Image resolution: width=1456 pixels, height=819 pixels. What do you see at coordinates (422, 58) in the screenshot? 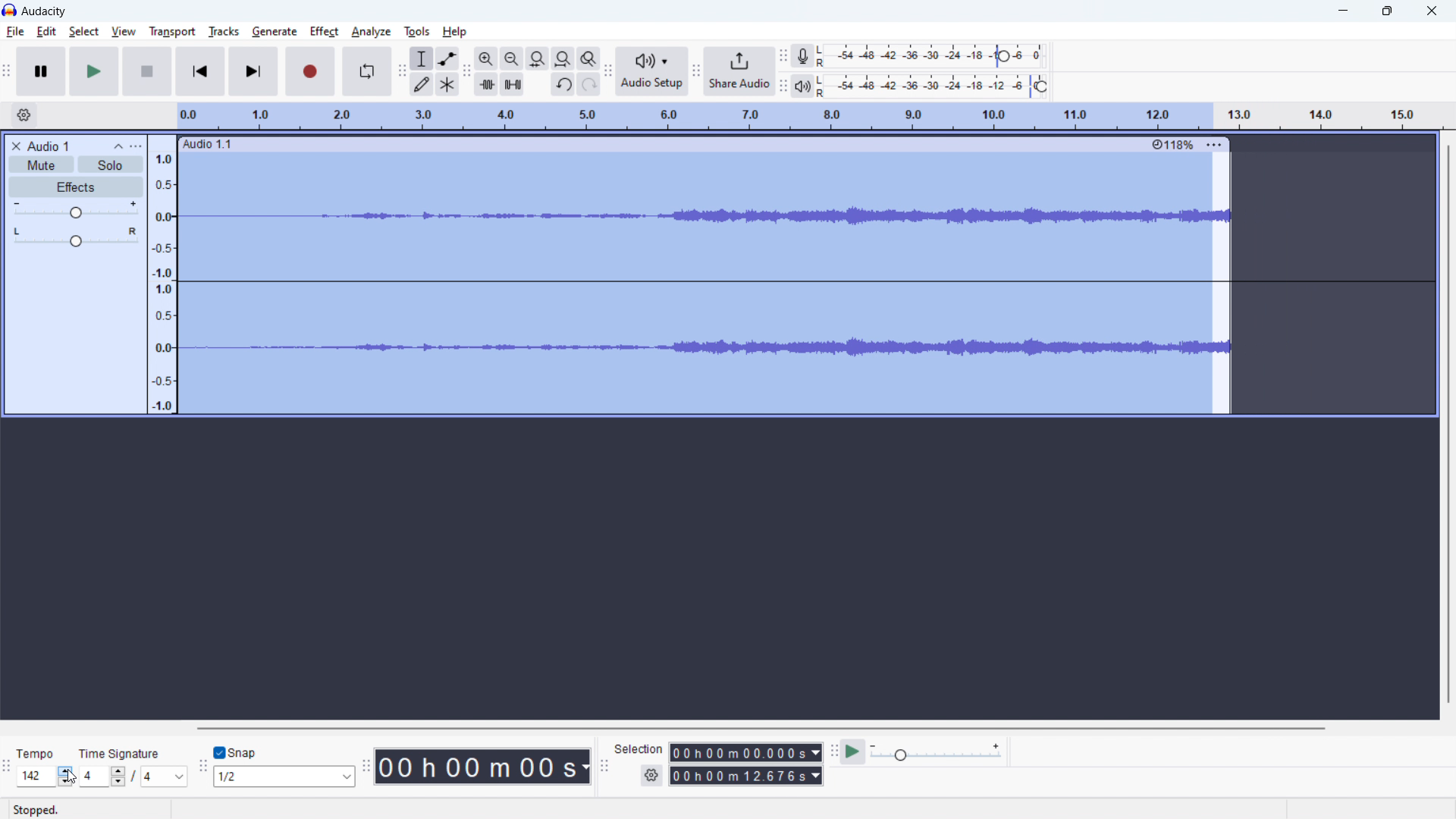
I see `selection tool` at bounding box center [422, 58].